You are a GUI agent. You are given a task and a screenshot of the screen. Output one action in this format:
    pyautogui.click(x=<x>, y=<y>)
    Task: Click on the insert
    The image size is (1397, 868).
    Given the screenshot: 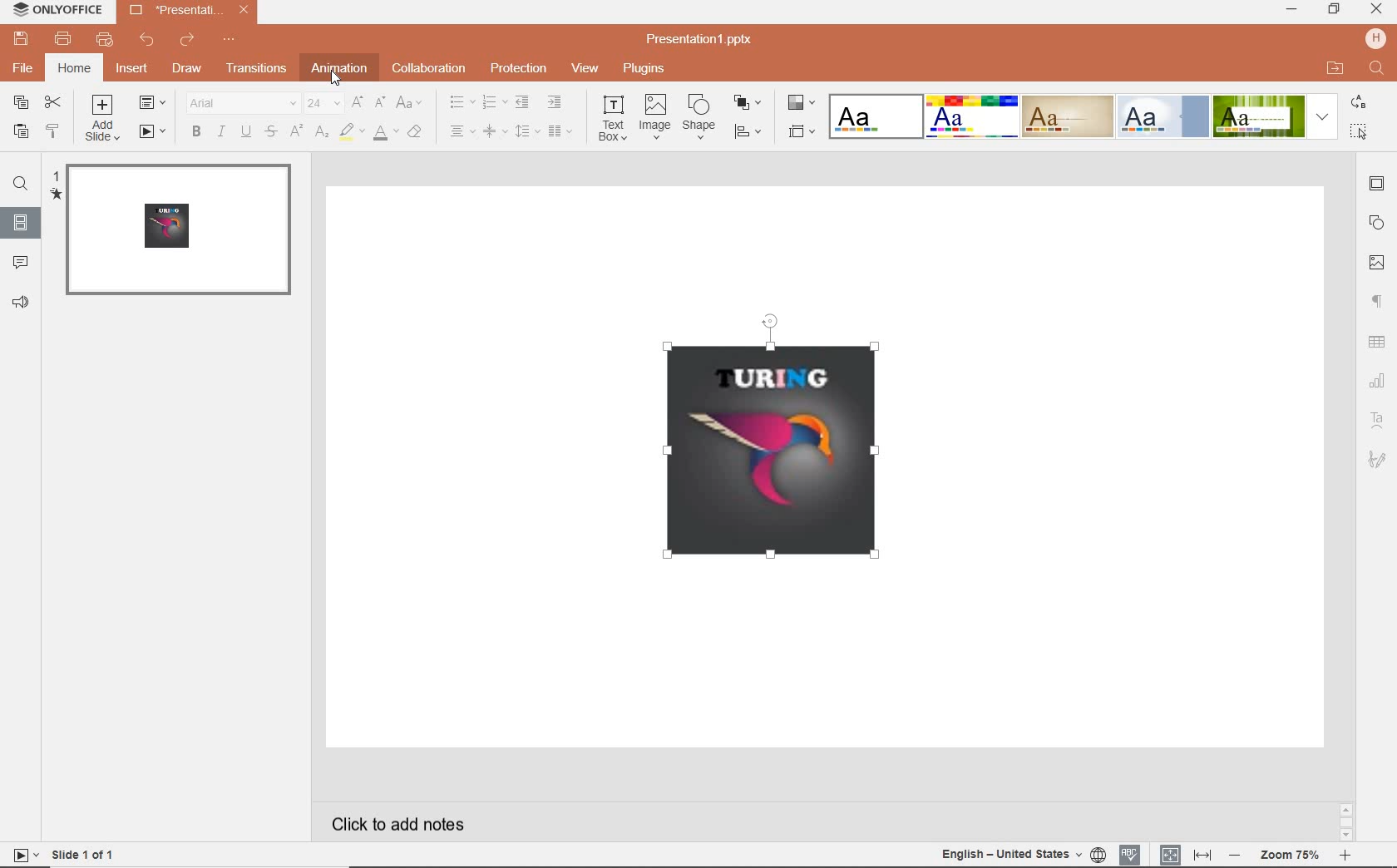 What is the action you would take?
    pyautogui.click(x=131, y=68)
    